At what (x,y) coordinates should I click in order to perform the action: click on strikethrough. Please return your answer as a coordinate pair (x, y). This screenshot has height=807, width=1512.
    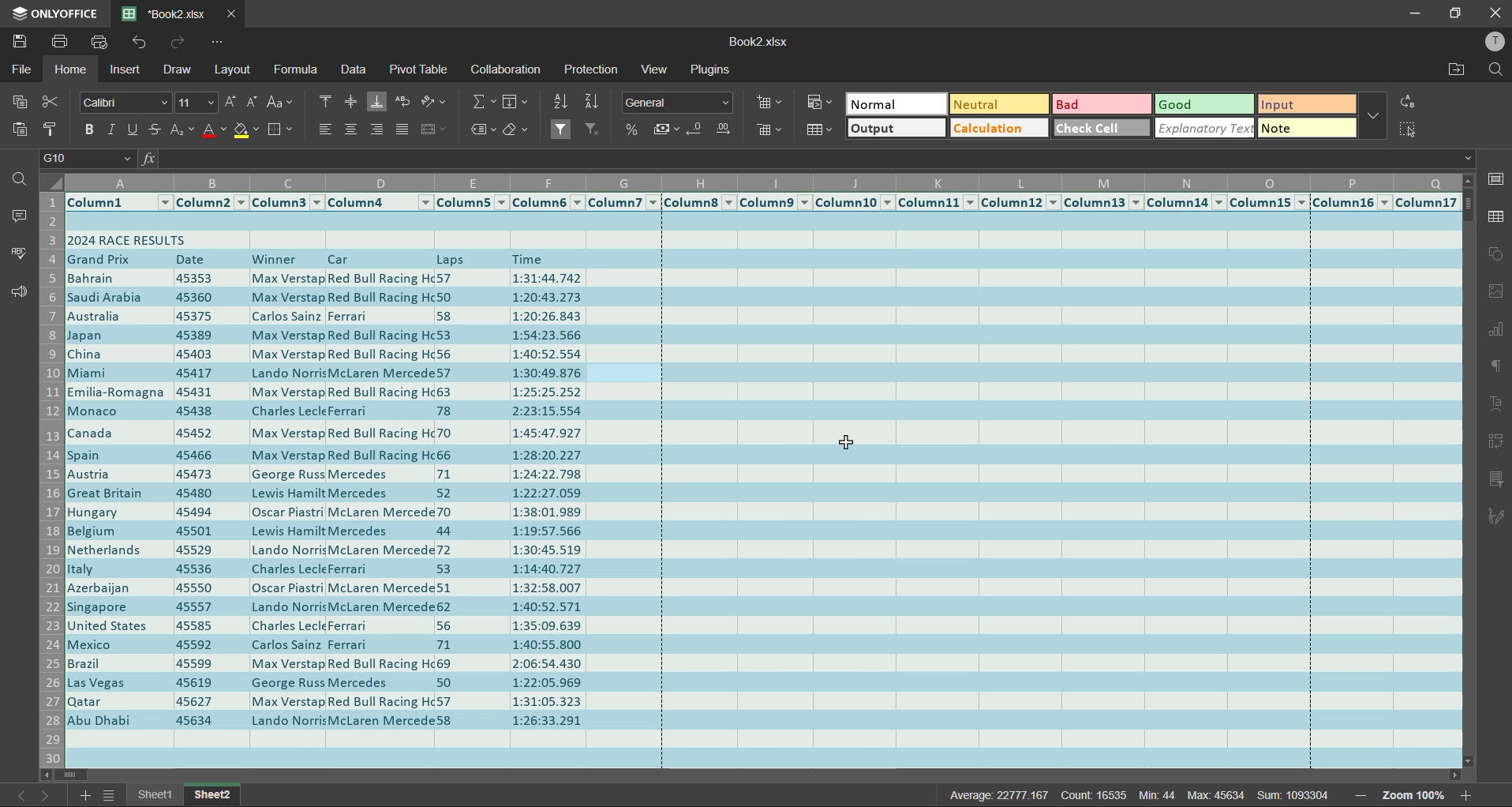
    Looking at the image, I should click on (155, 131).